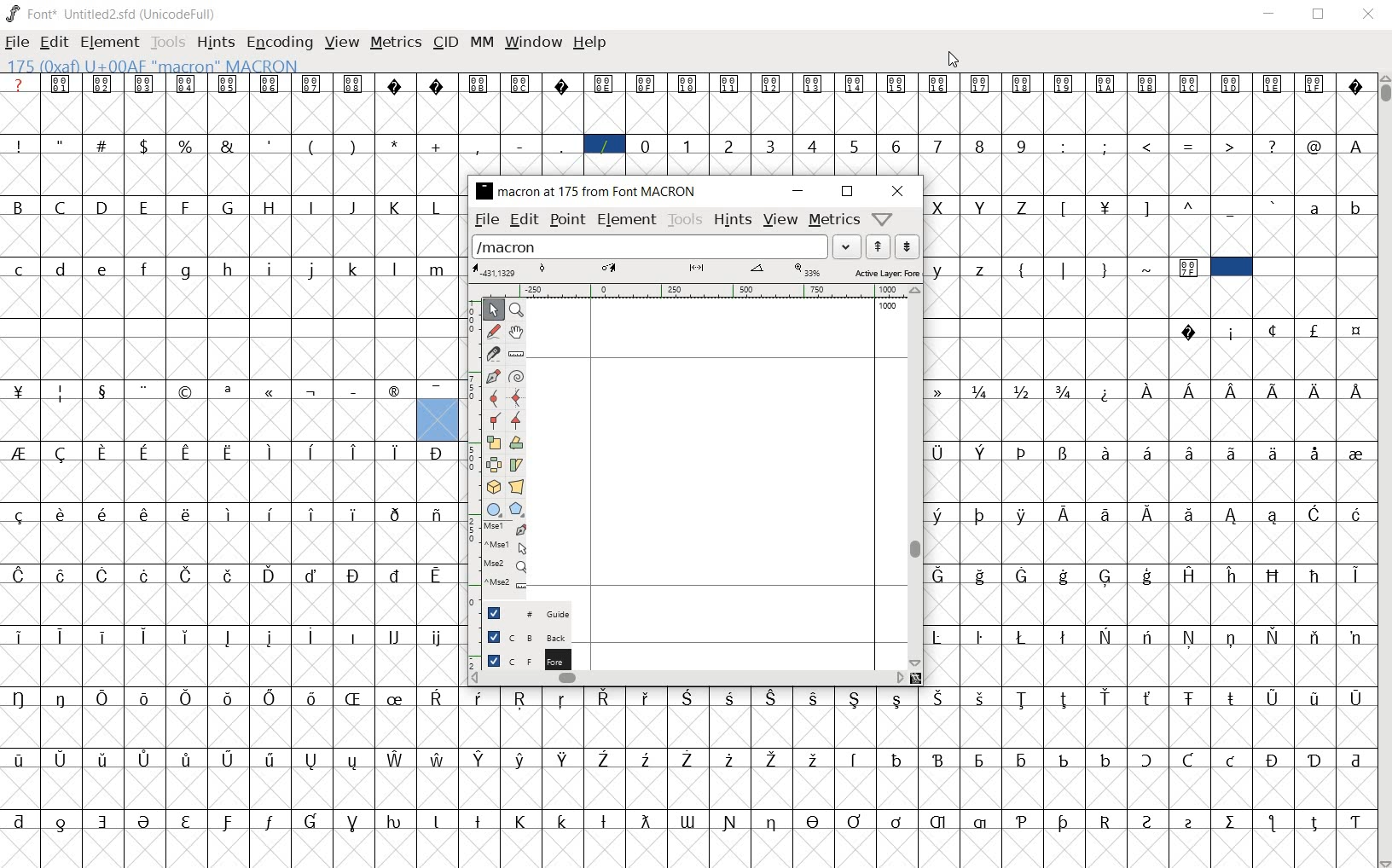  What do you see at coordinates (1024, 454) in the screenshot?
I see `Symbol` at bounding box center [1024, 454].